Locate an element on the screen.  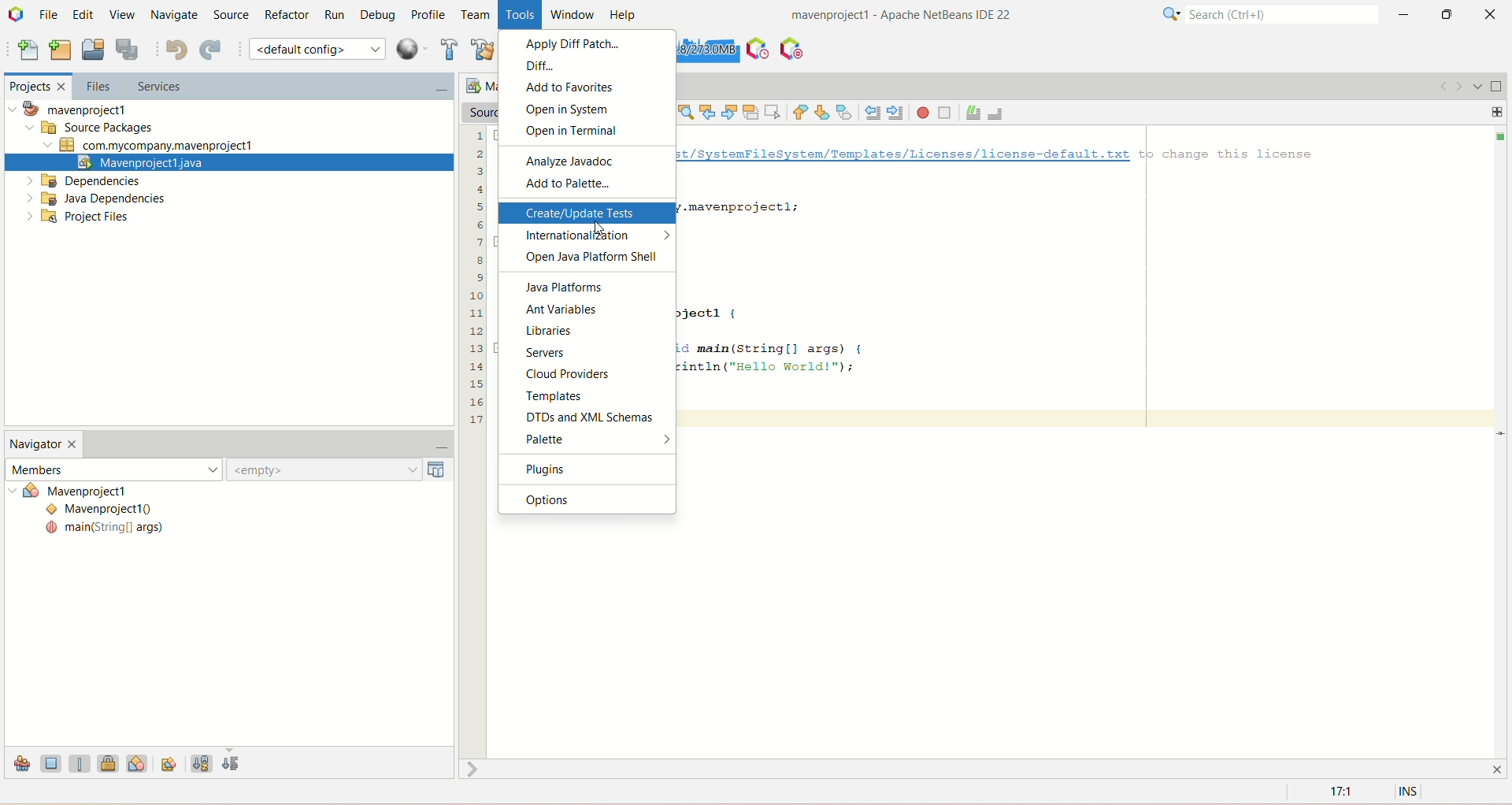
Mavenproject() is located at coordinates (106, 510).